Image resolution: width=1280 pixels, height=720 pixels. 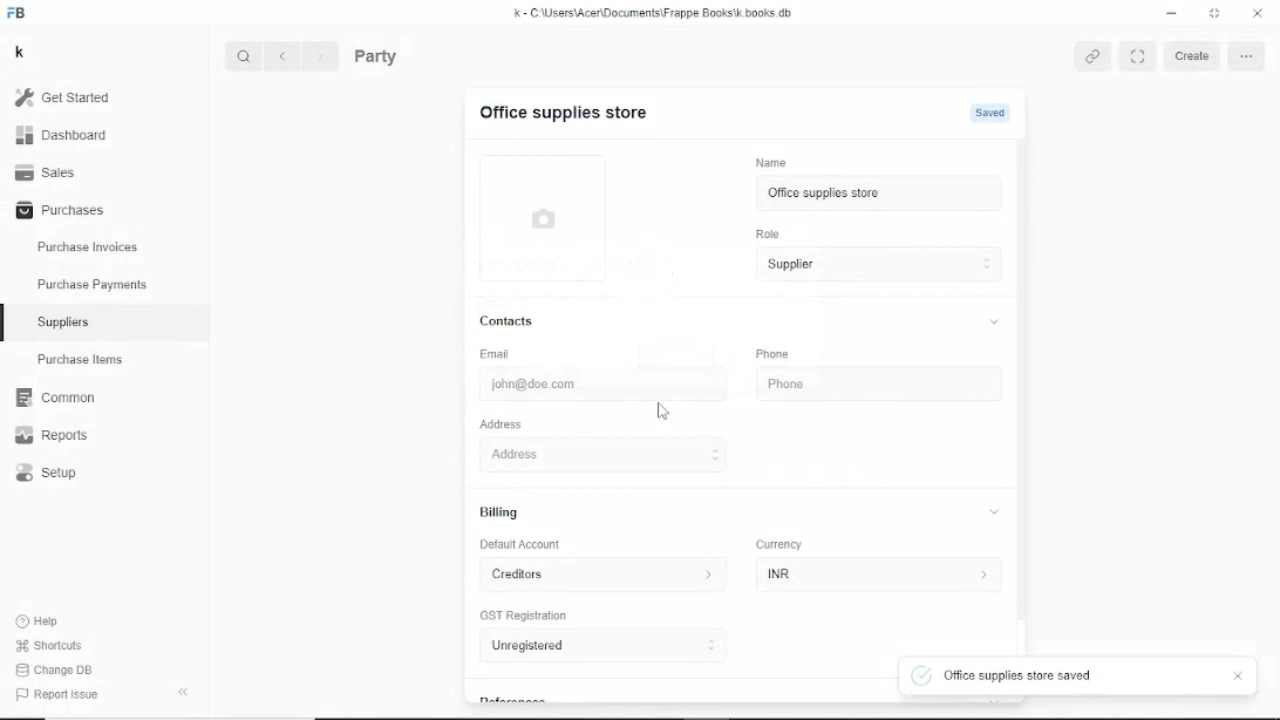 I want to click on john@doe.com, so click(x=578, y=387).